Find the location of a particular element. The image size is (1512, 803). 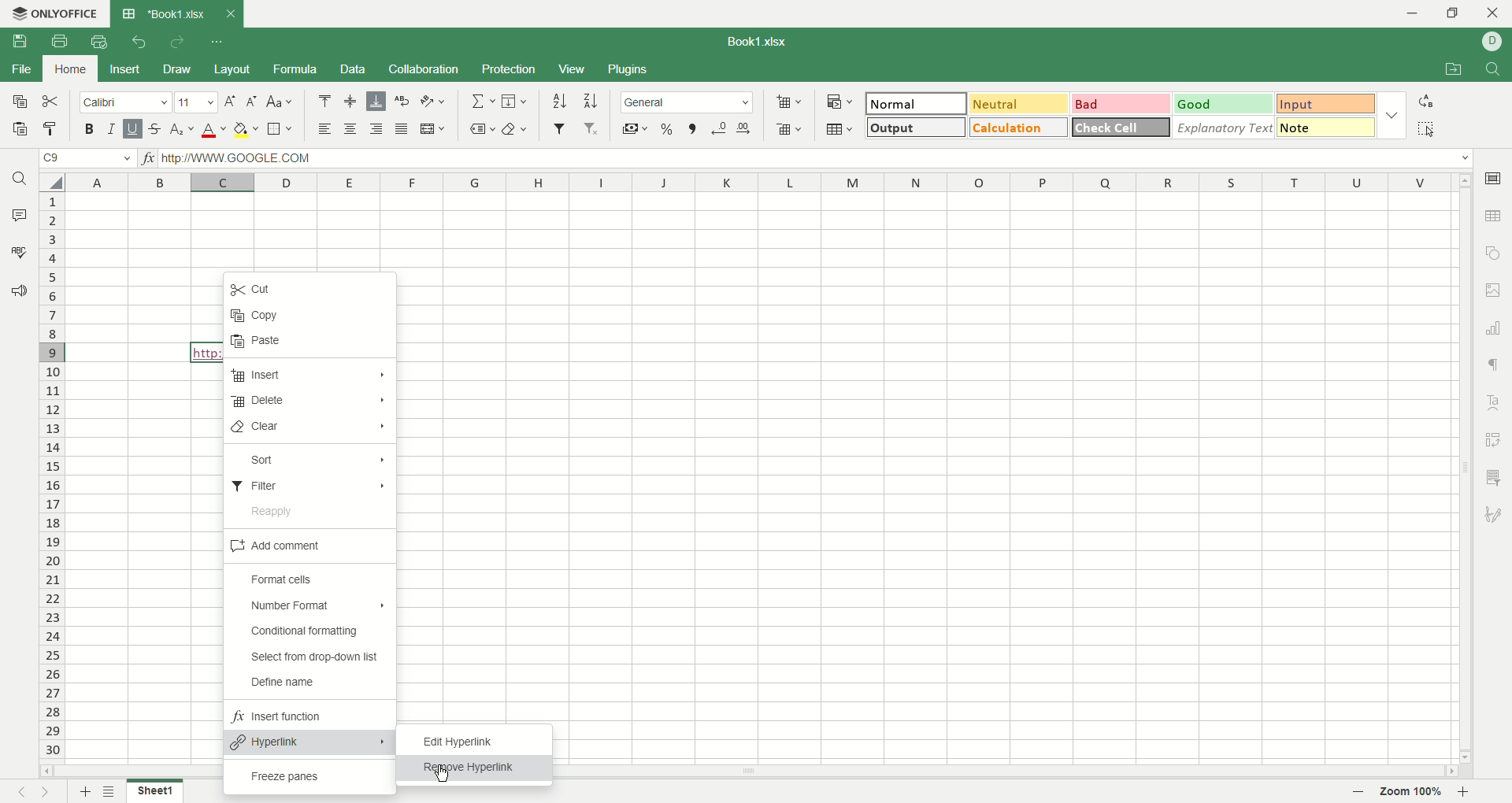

previous is located at coordinates (20, 794).